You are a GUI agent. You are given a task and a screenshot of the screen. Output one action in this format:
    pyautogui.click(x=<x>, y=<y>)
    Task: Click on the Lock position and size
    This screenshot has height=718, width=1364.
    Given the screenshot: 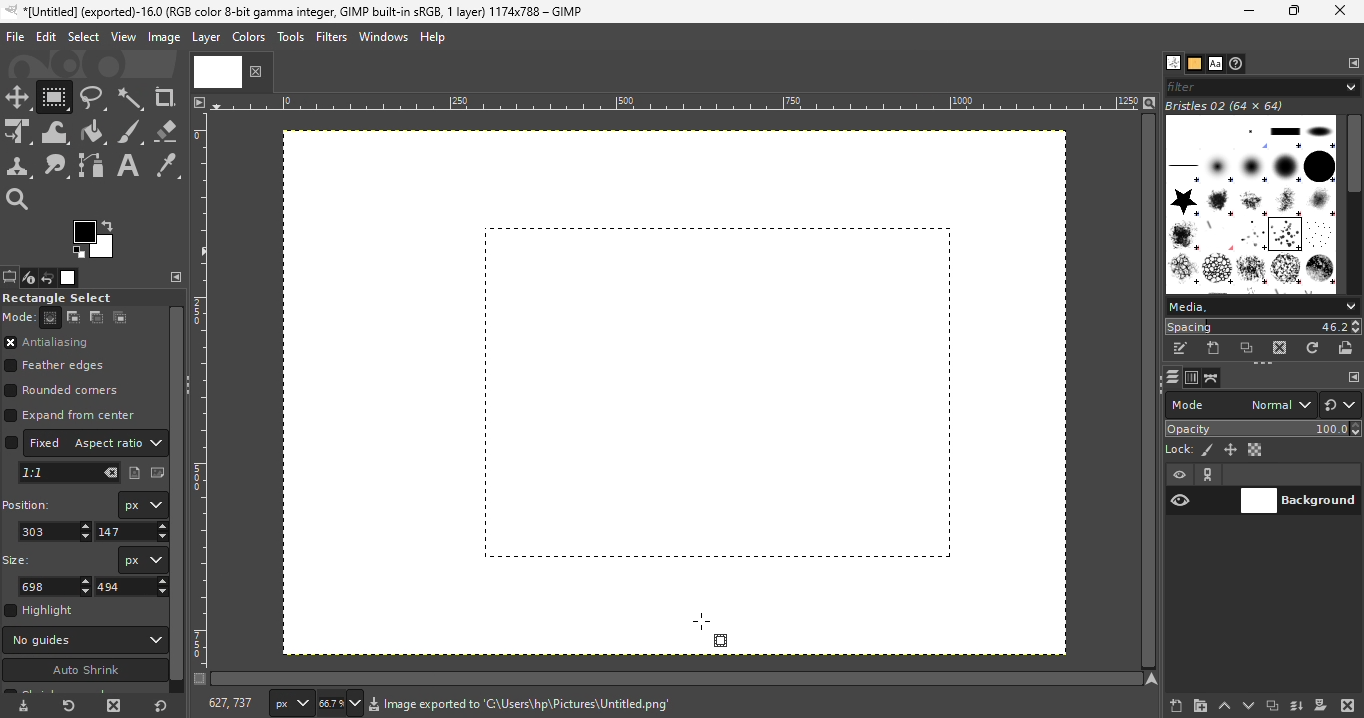 What is the action you would take?
    pyautogui.click(x=1231, y=449)
    